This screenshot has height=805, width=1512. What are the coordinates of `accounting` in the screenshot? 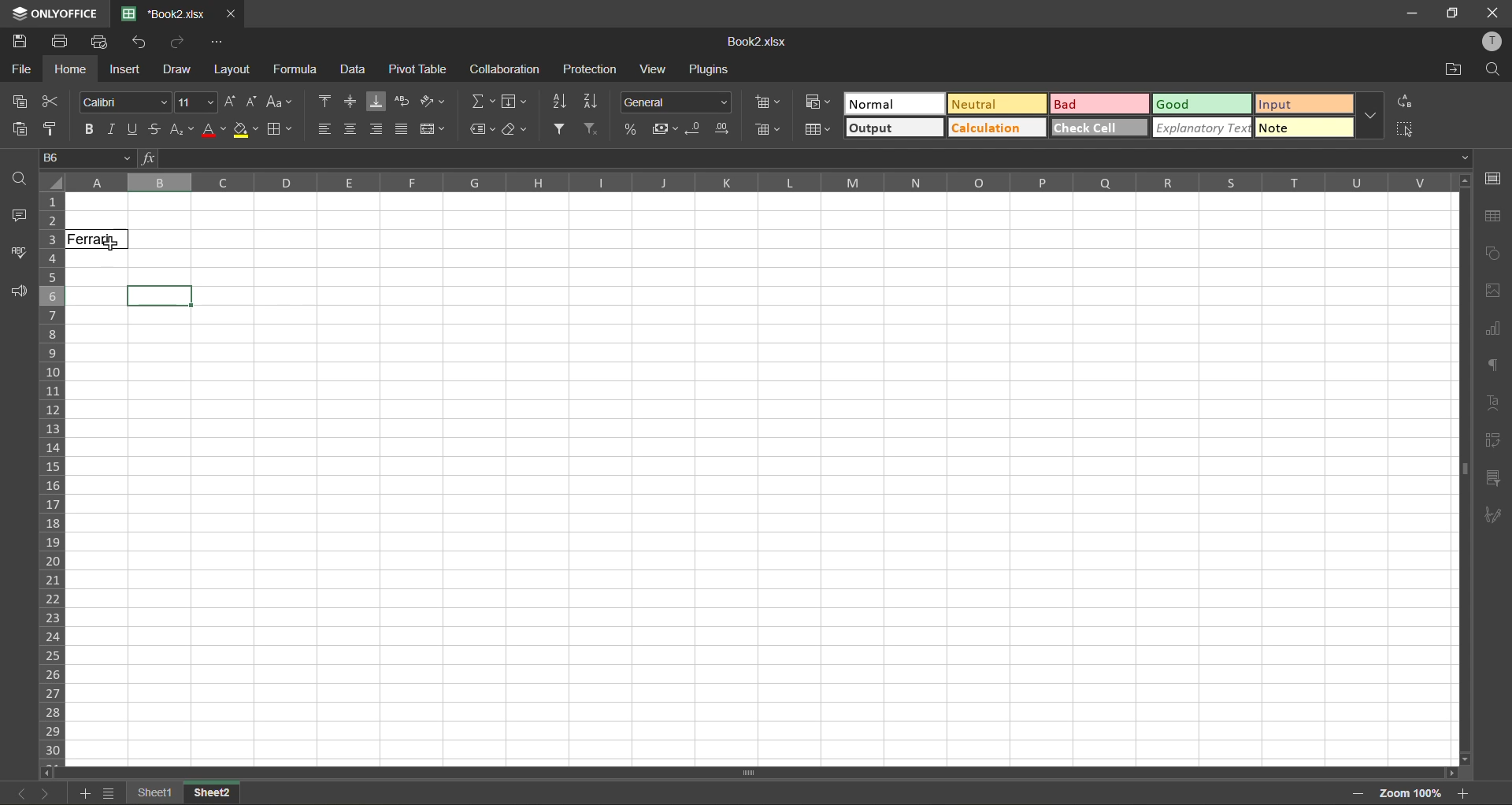 It's located at (663, 129).